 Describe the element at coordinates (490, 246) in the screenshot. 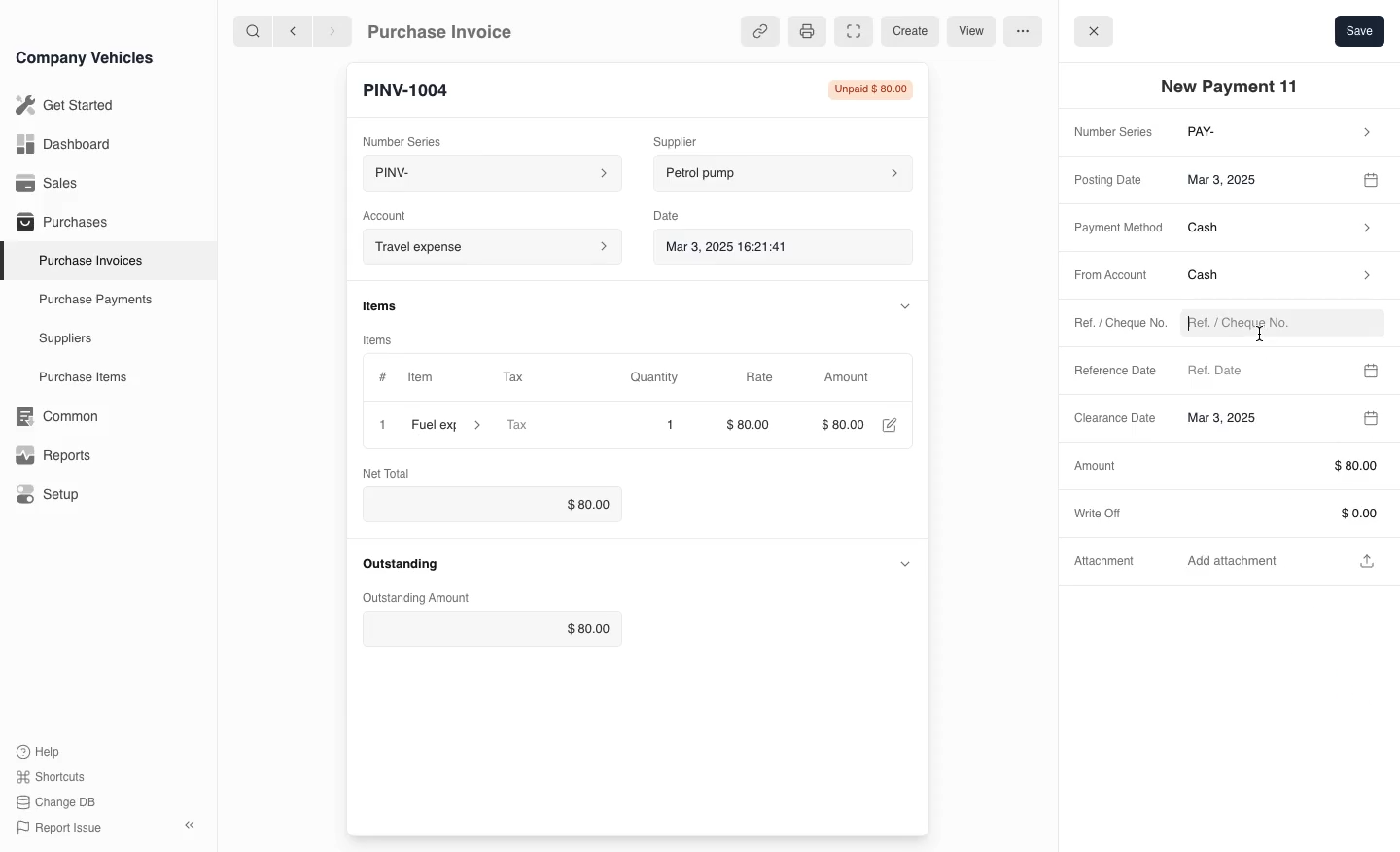

I see `Account` at that location.